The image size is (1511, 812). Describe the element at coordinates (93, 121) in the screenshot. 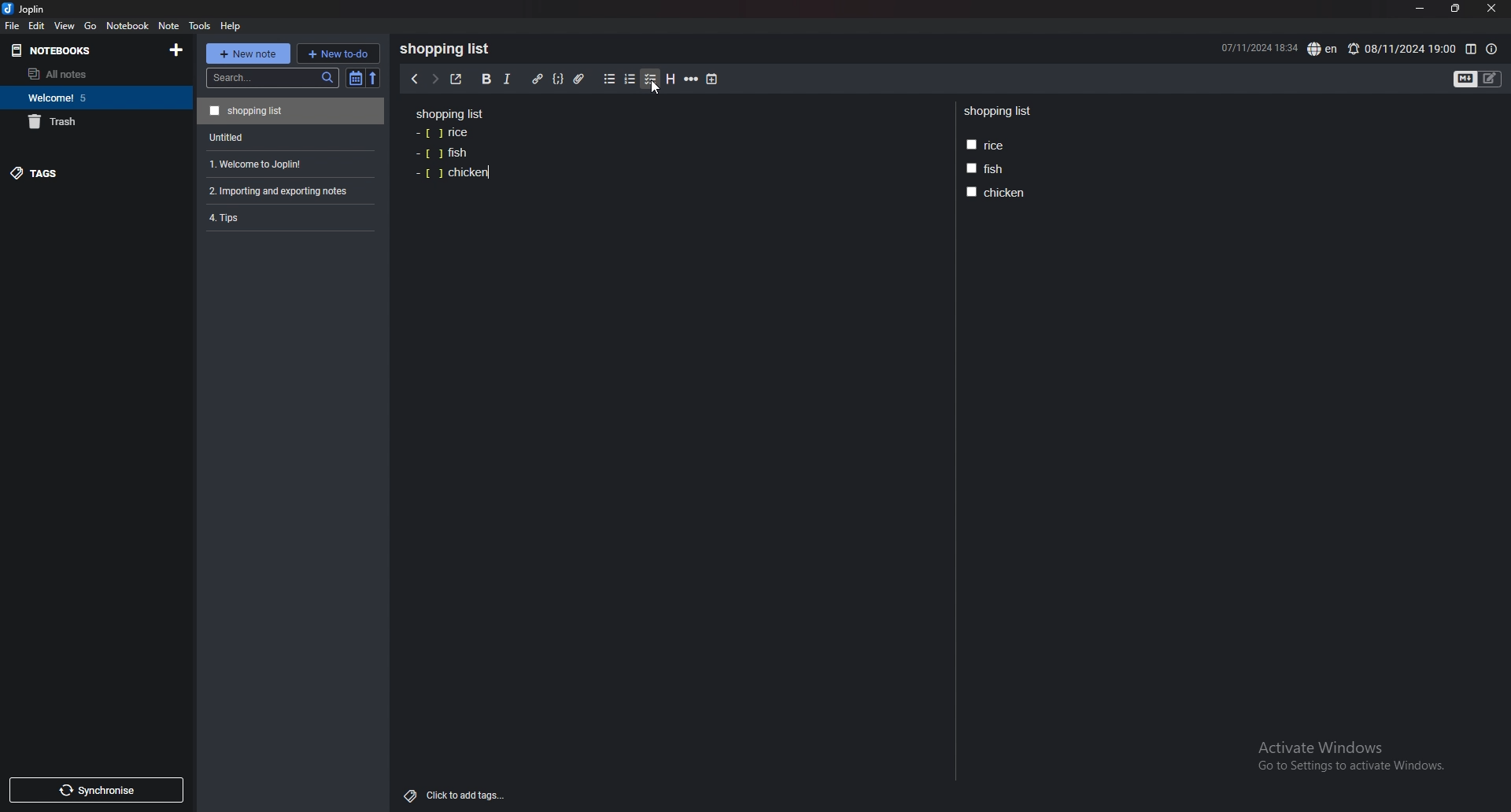

I see `trash` at that location.